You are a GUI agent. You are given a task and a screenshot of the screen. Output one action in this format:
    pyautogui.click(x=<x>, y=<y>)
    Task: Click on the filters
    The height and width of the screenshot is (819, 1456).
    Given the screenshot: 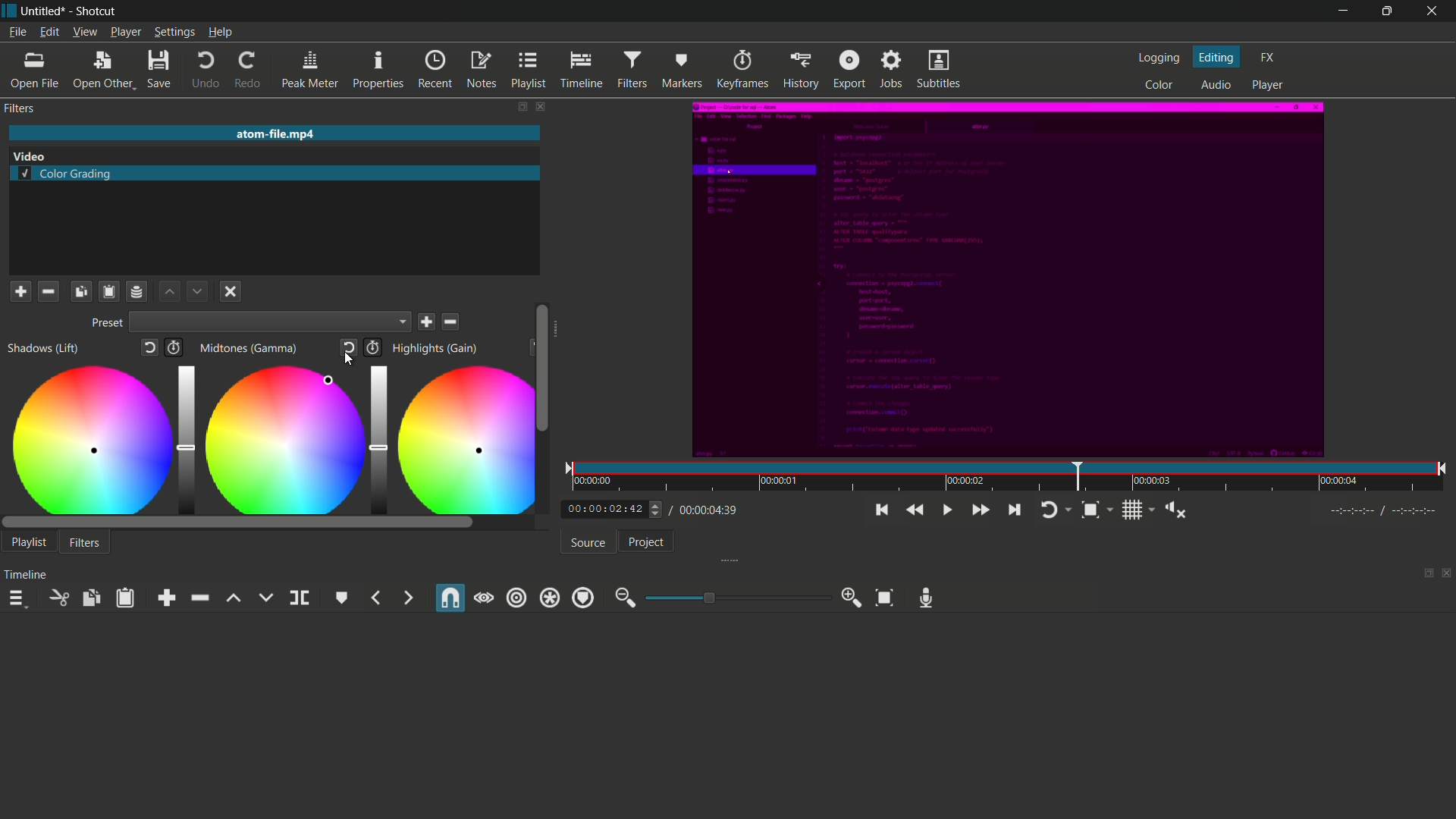 What is the action you would take?
    pyautogui.click(x=632, y=68)
    